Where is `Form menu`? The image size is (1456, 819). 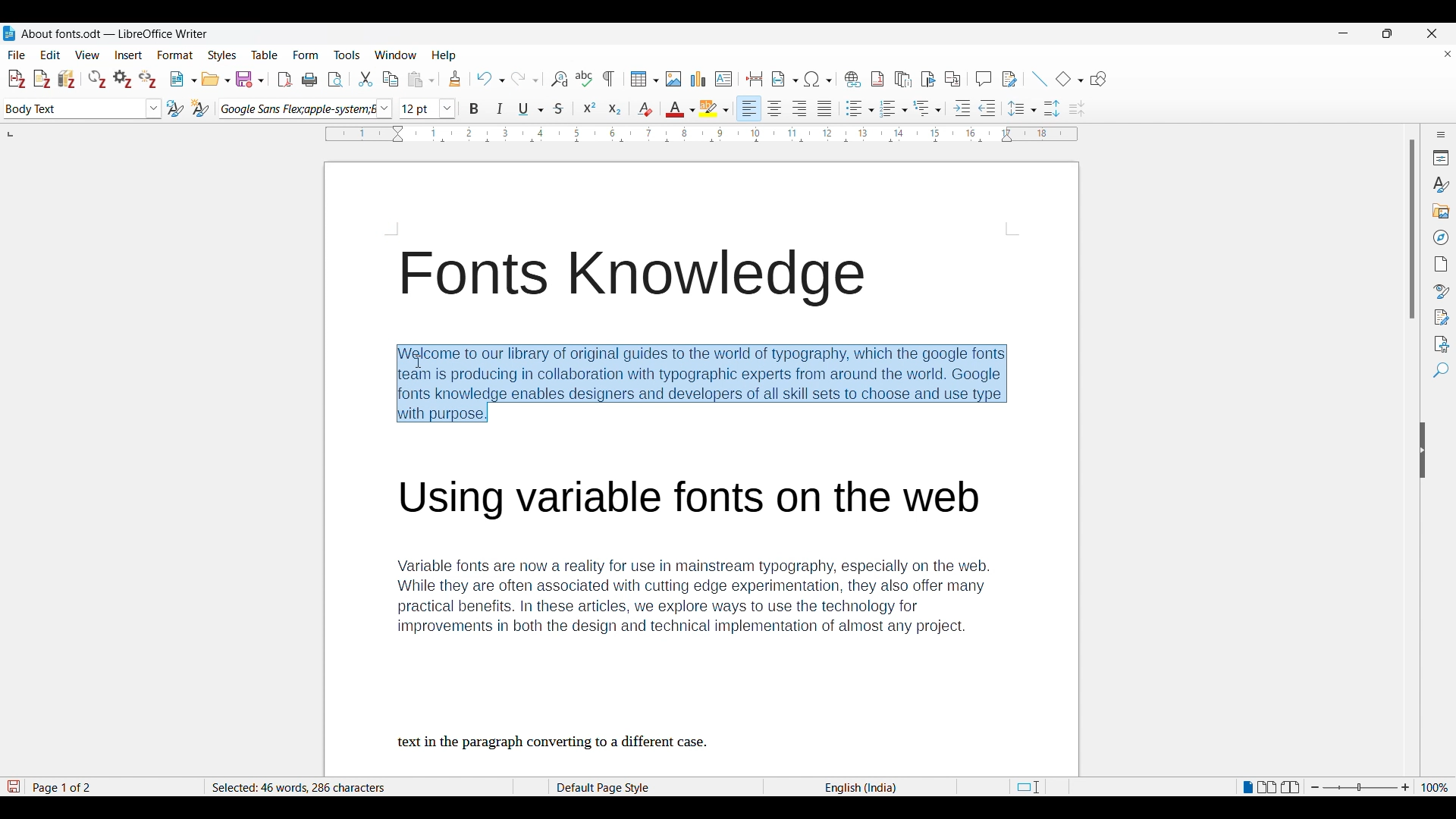 Form menu is located at coordinates (306, 55).